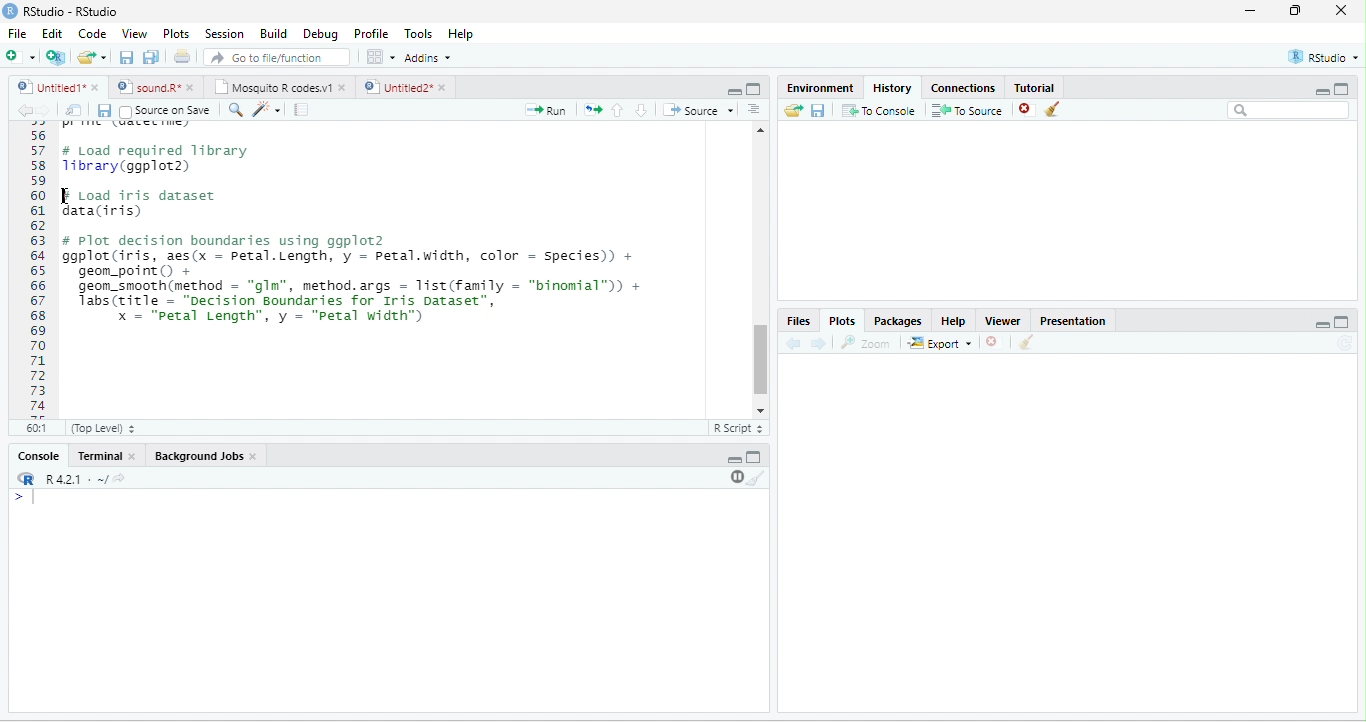 The height and width of the screenshot is (722, 1366). I want to click on sound.R, so click(148, 87).